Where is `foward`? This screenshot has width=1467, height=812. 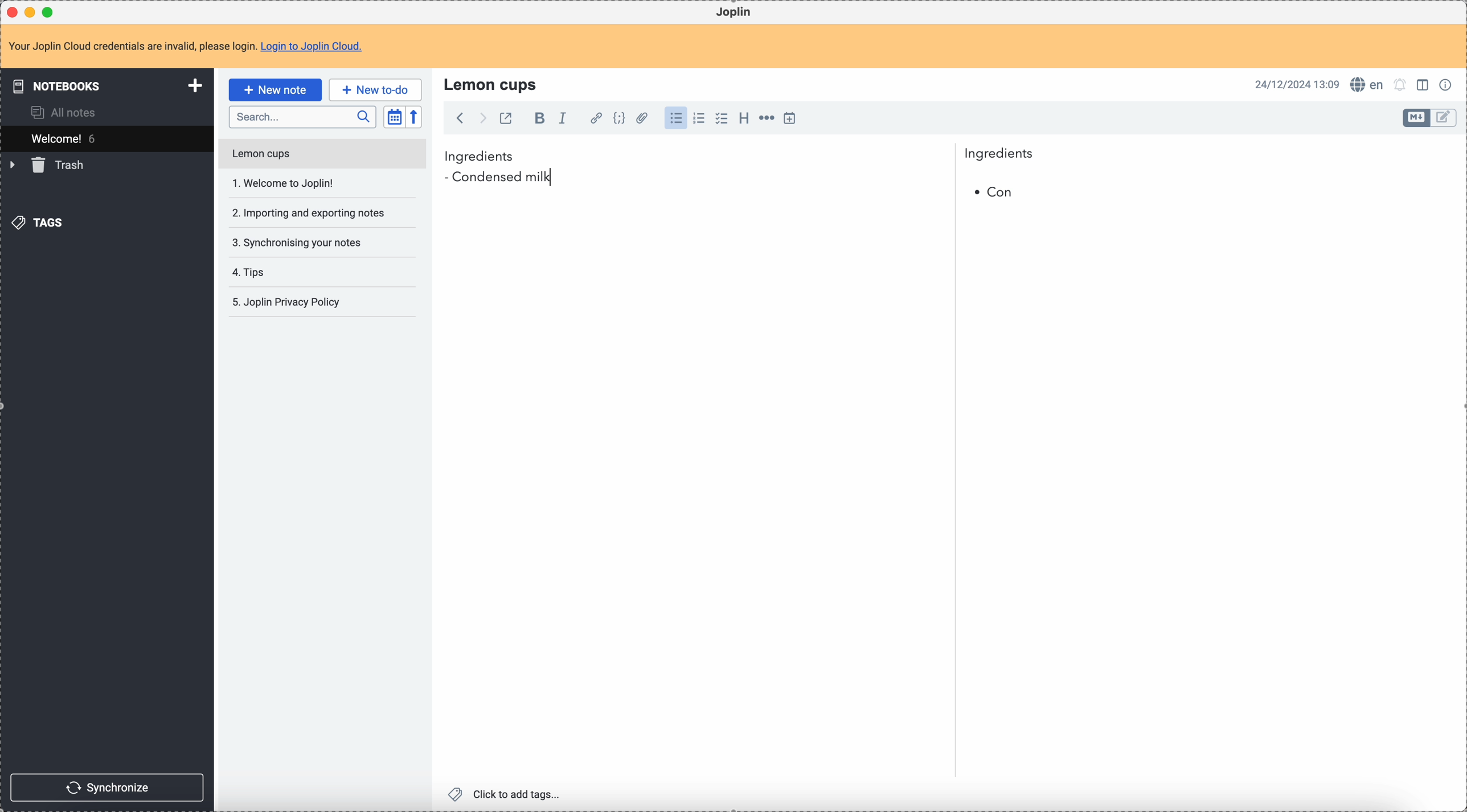
foward is located at coordinates (481, 118).